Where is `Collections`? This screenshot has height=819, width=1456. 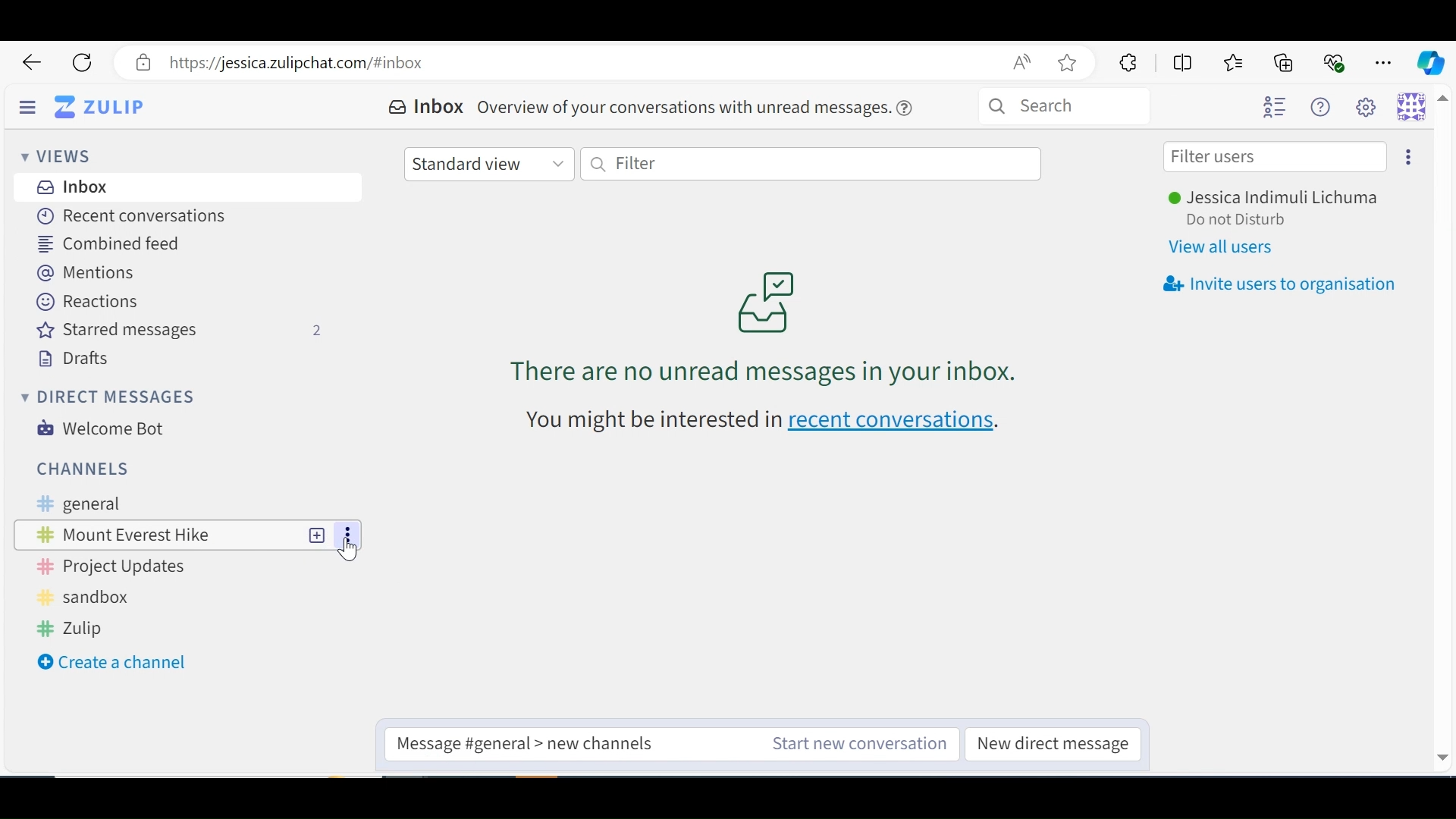 Collections is located at coordinates (1286, 61).